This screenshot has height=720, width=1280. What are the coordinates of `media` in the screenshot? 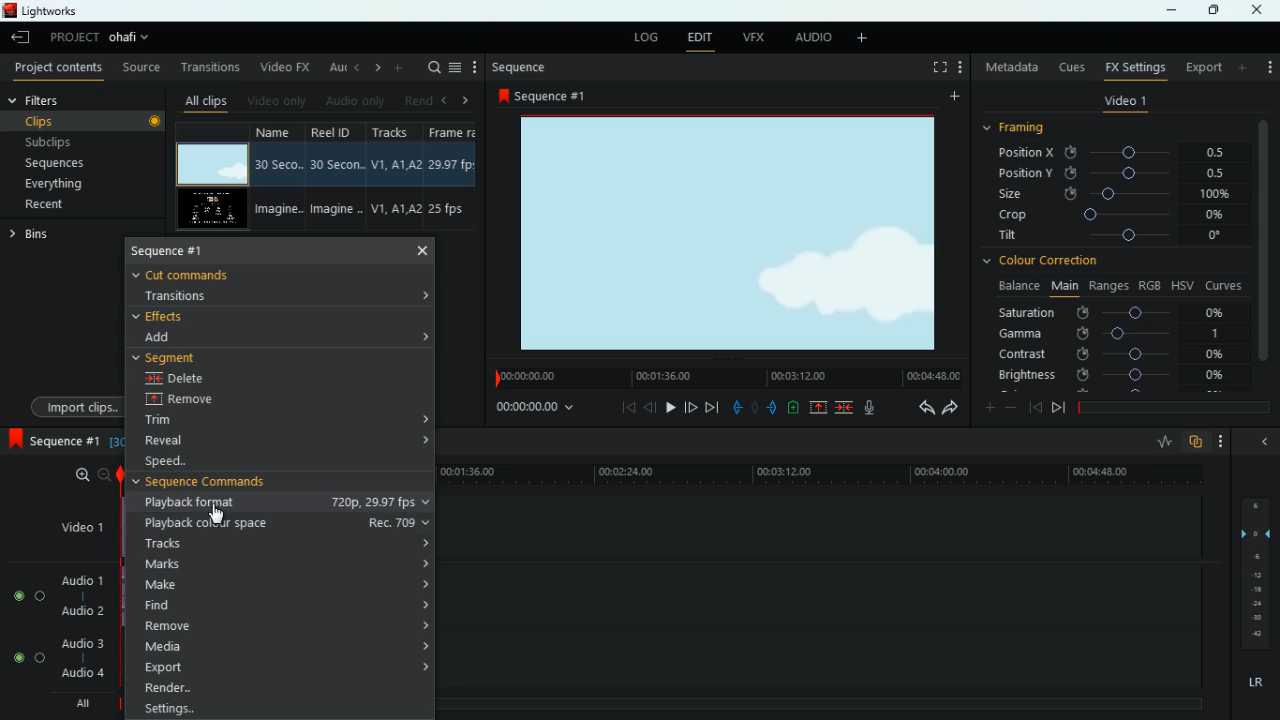 It's located at (283, 647).